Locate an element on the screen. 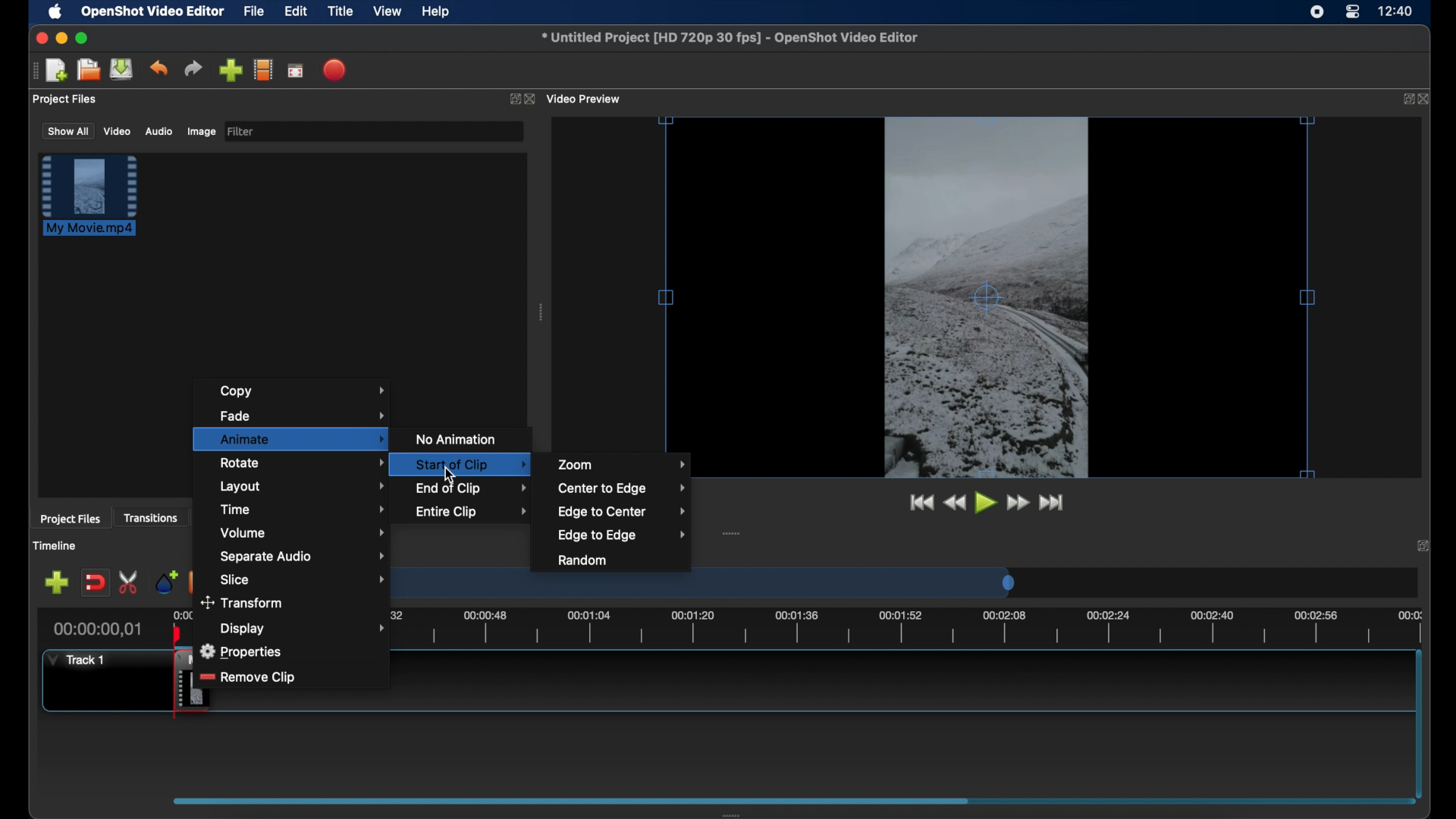 The width and height of the screenshot is (1456, 819). time is located at coordinates (1397, 12).